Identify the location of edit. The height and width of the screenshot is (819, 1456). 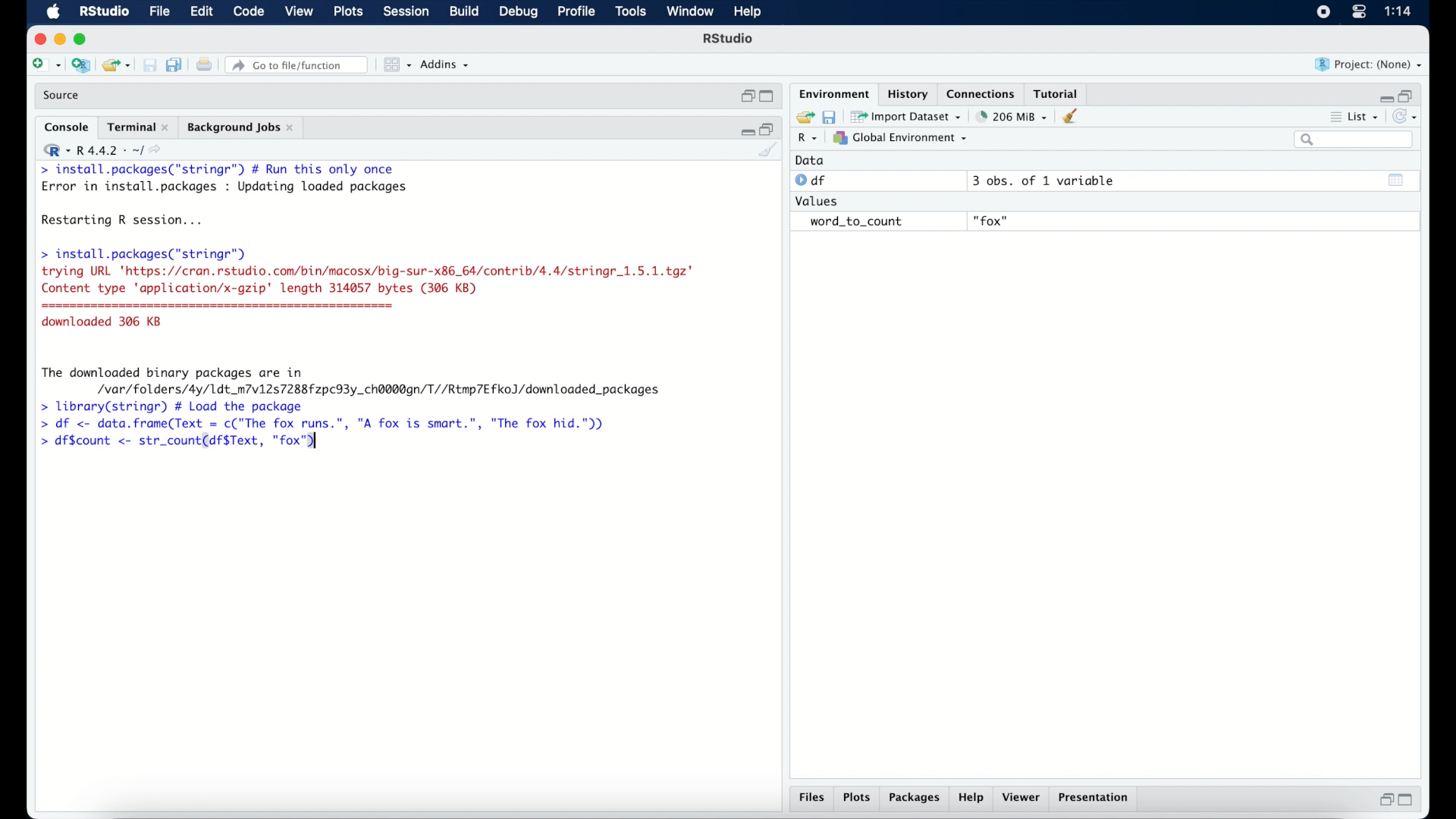
(201, 12).